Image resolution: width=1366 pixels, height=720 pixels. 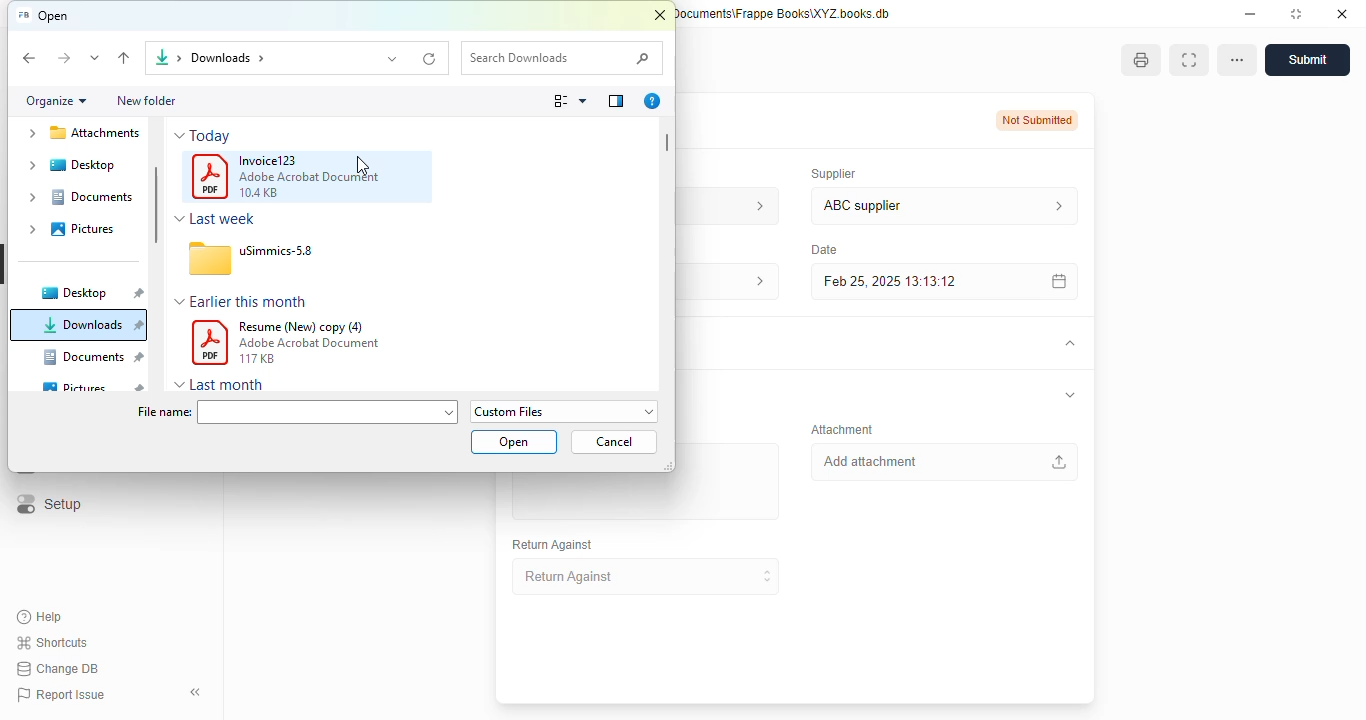 I want to click on resume (new) copy (4), so click(x=302, y=327).